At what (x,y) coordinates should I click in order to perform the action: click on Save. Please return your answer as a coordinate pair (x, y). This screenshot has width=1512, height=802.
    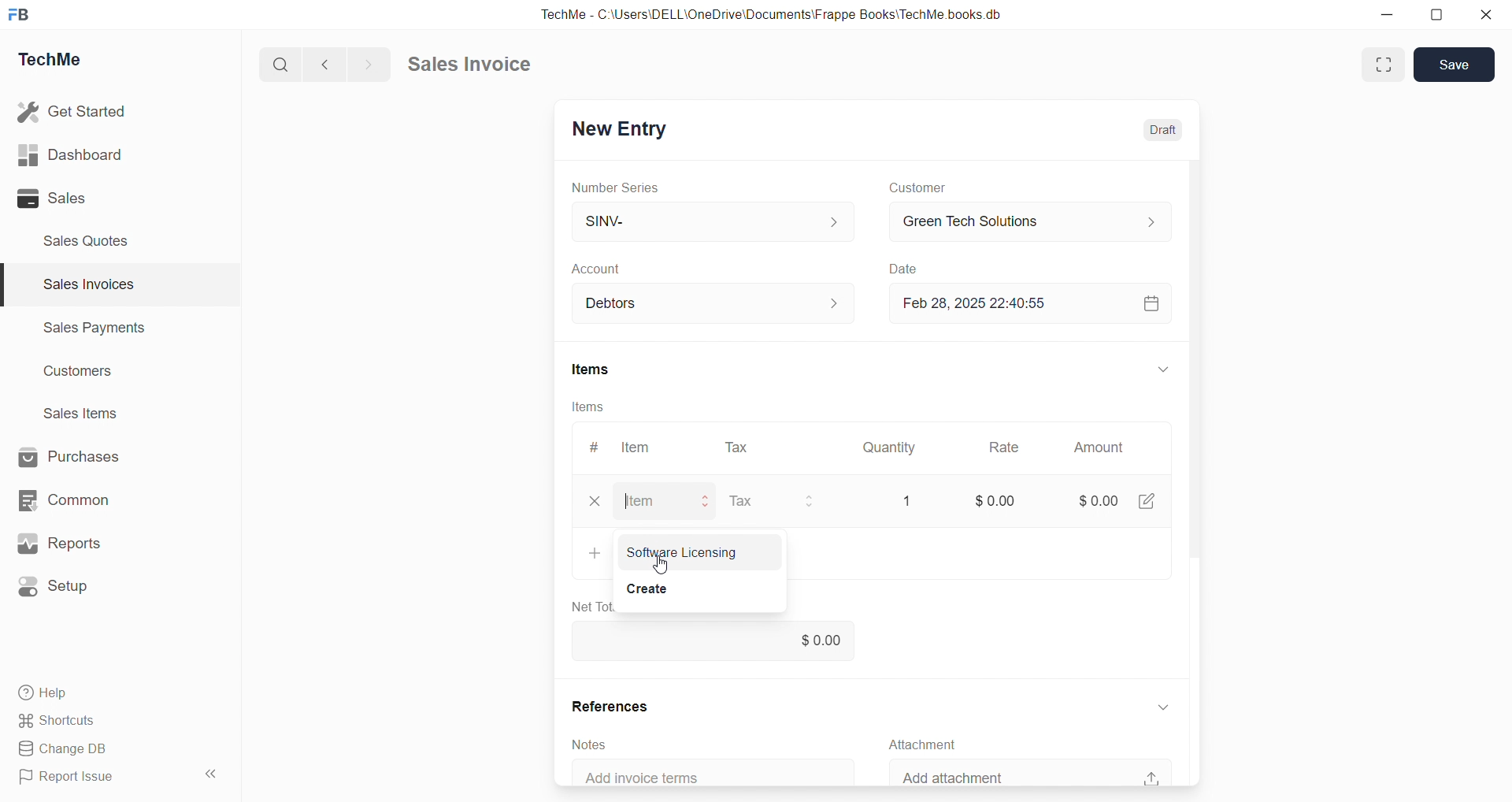
    Looking at the image, I should click on (1455, 64).